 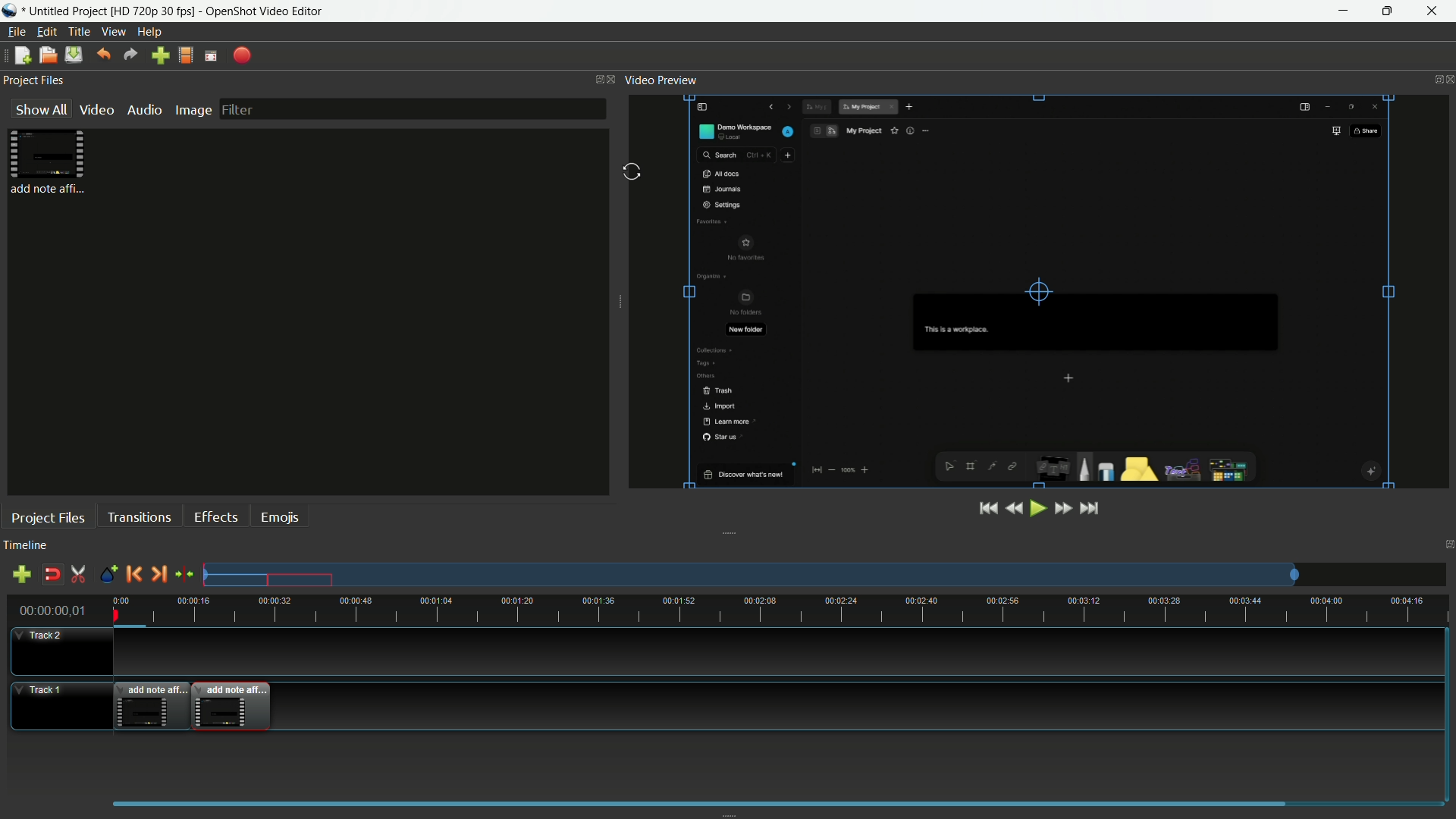 I want to click on new file, so click(x=23, y=55).